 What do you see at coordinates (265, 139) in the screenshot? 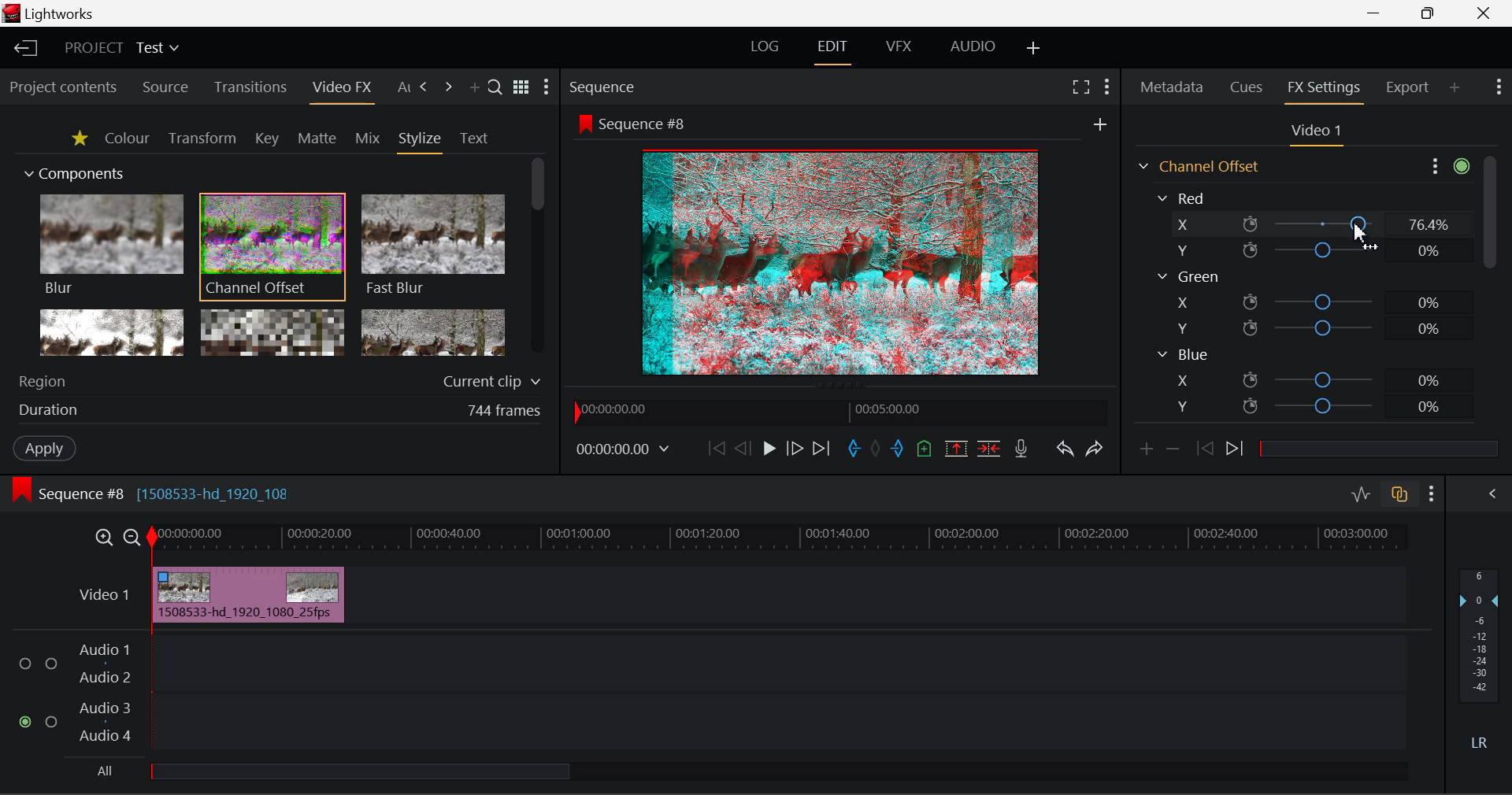
I see `Key` at bounding box center [265, 139].